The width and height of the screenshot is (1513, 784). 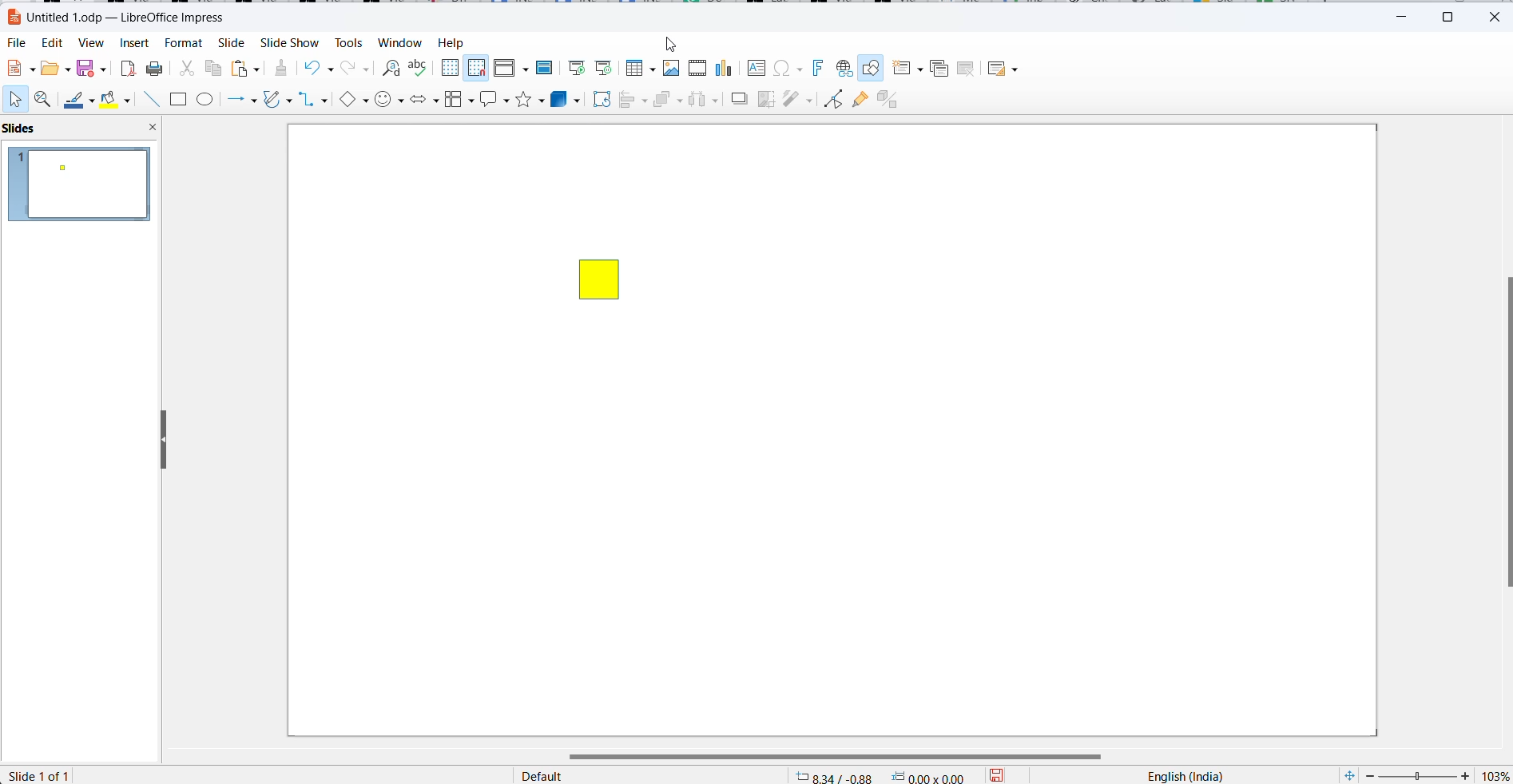 I want to click on arrange, so click(x=668, y=101).